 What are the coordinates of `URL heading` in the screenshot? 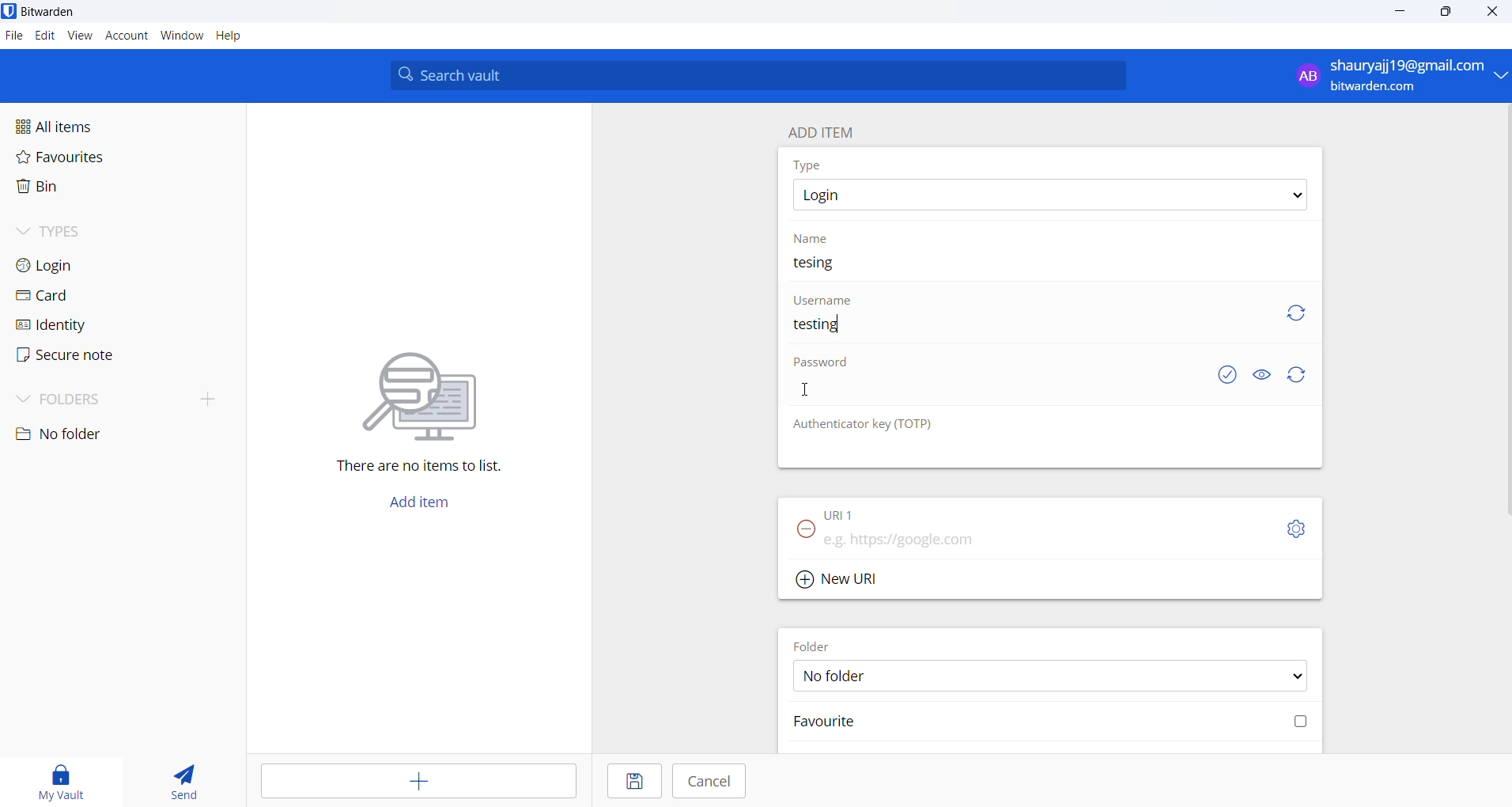 It's located at (845, 511).